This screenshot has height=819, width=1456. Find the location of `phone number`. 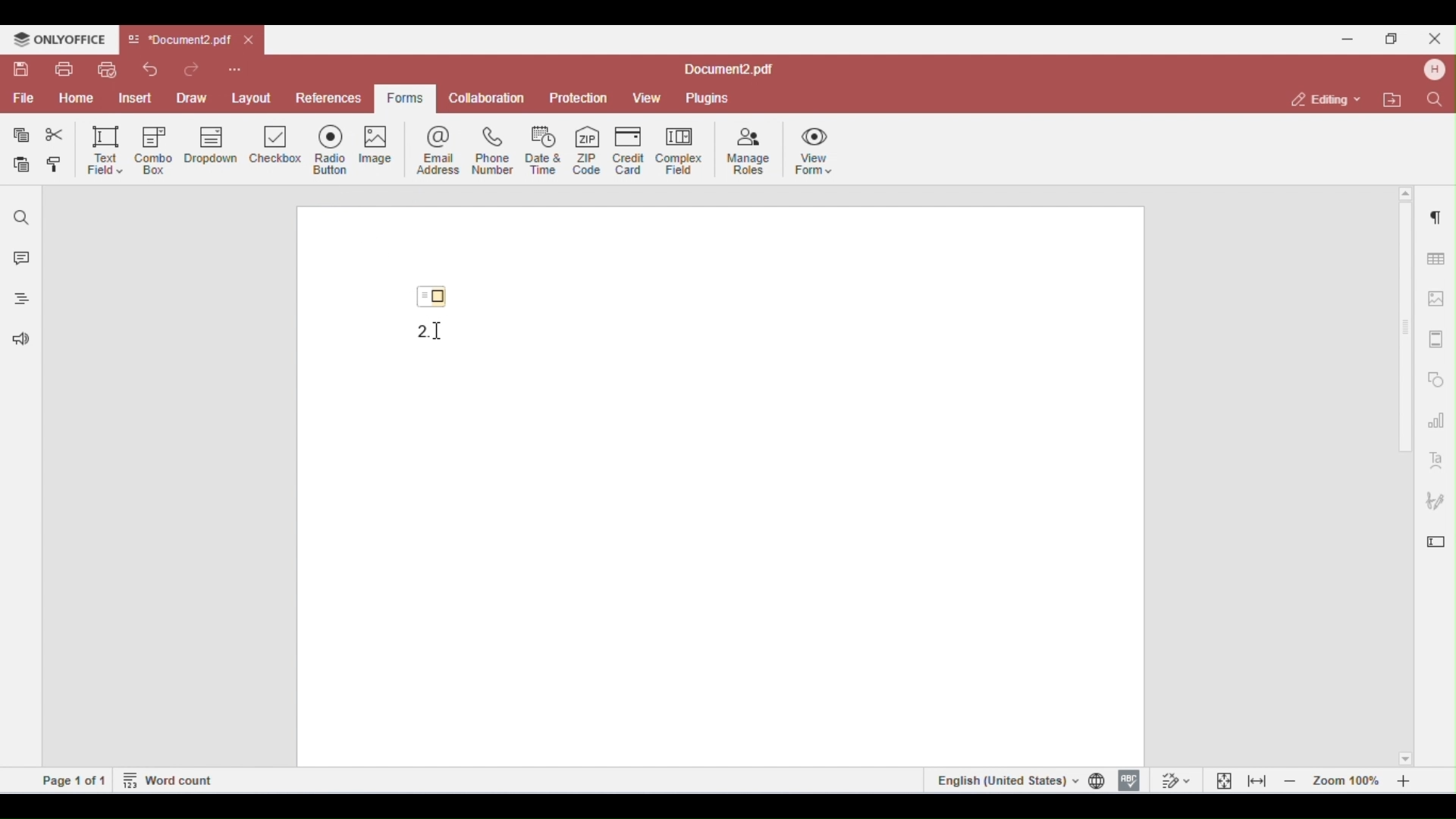

phone number is located at coordinates (491, 150).